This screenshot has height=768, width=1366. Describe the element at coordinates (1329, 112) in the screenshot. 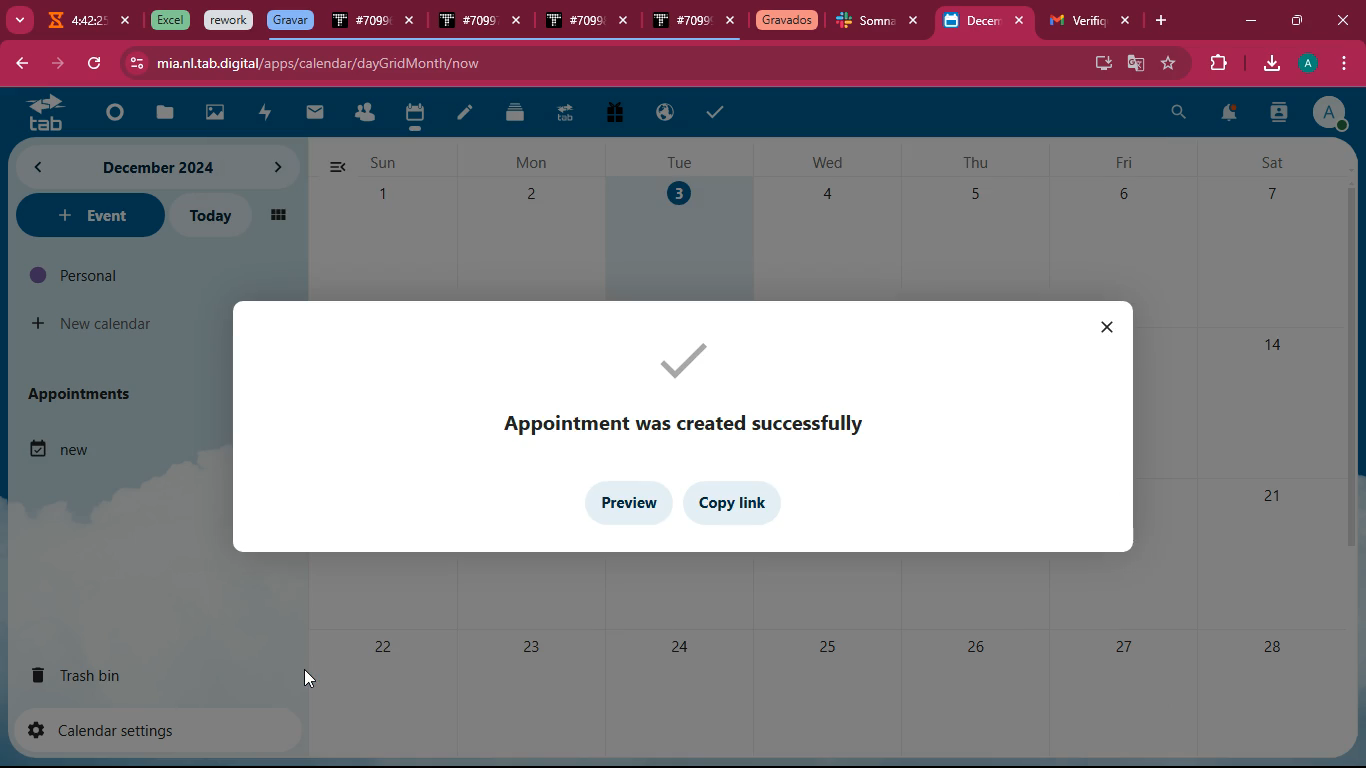

I see `profile` at that location.